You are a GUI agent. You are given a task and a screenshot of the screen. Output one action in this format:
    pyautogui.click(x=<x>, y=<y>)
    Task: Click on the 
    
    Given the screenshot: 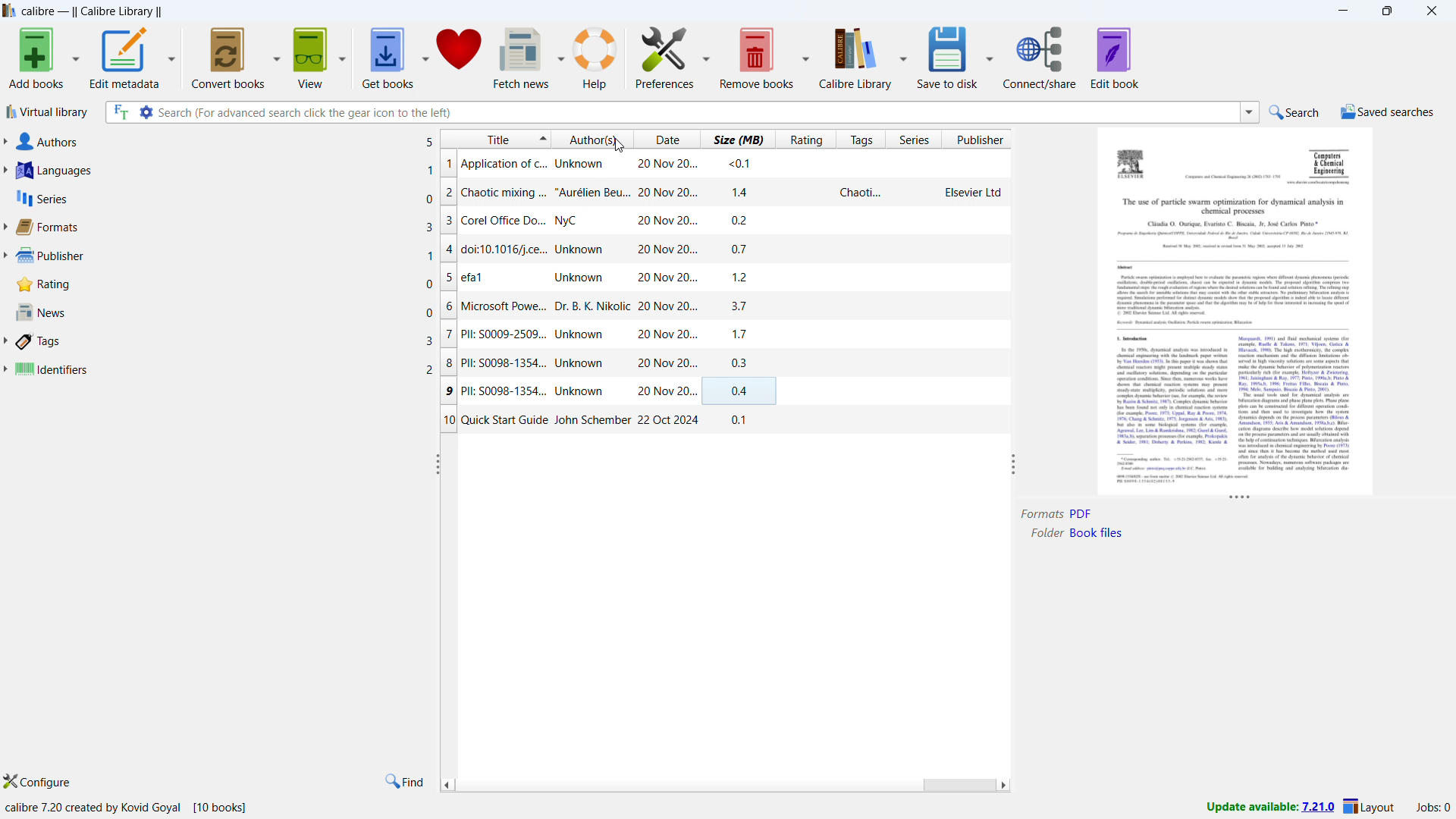 What is the action you would take?
    pyautogui.click(x=1331, y=161)
    